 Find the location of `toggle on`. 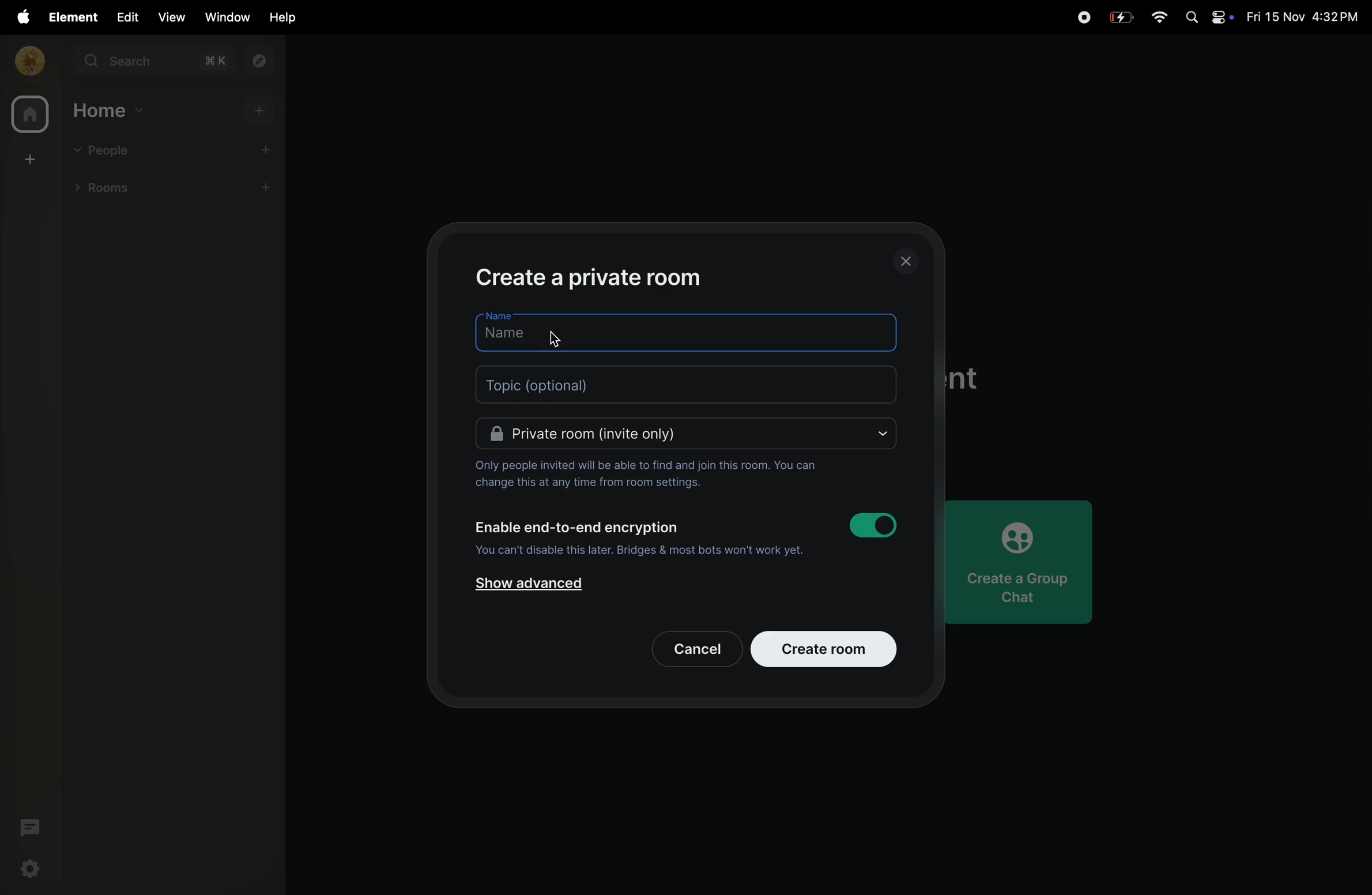

toggle on is located at coordinates (877, 525).